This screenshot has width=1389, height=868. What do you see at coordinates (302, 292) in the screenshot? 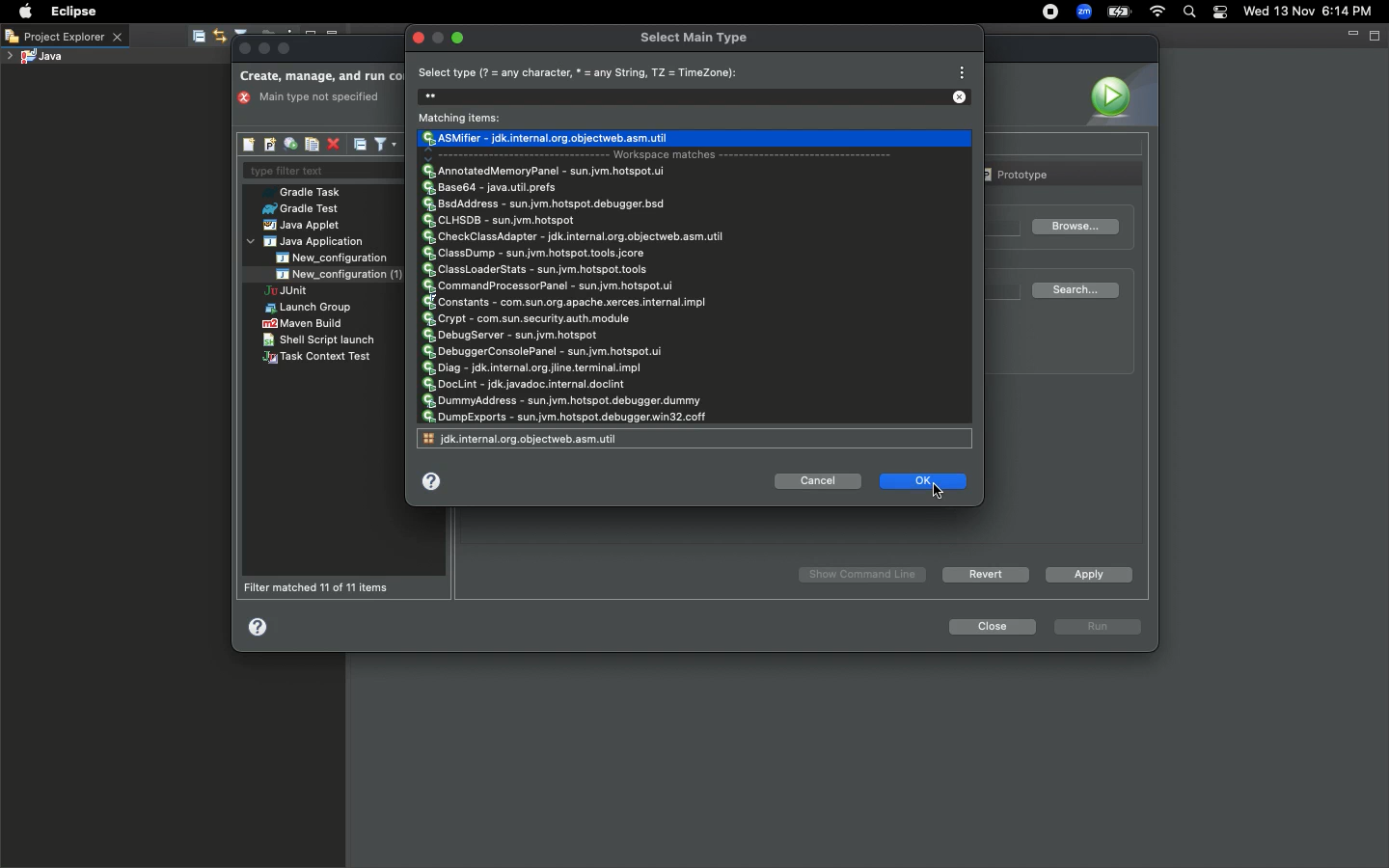
I see `JUnit` at bounding box center [302, 292].